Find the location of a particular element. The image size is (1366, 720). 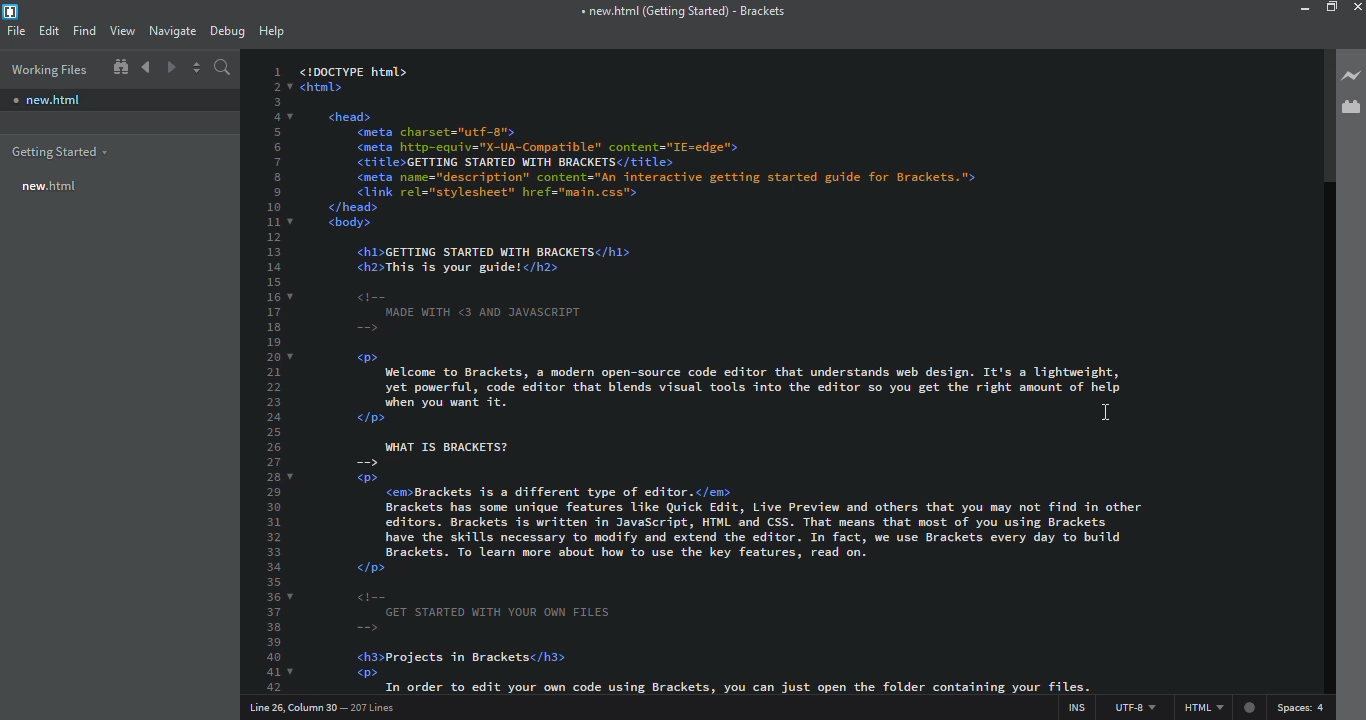

split editor is located at coordinates (197, 68).